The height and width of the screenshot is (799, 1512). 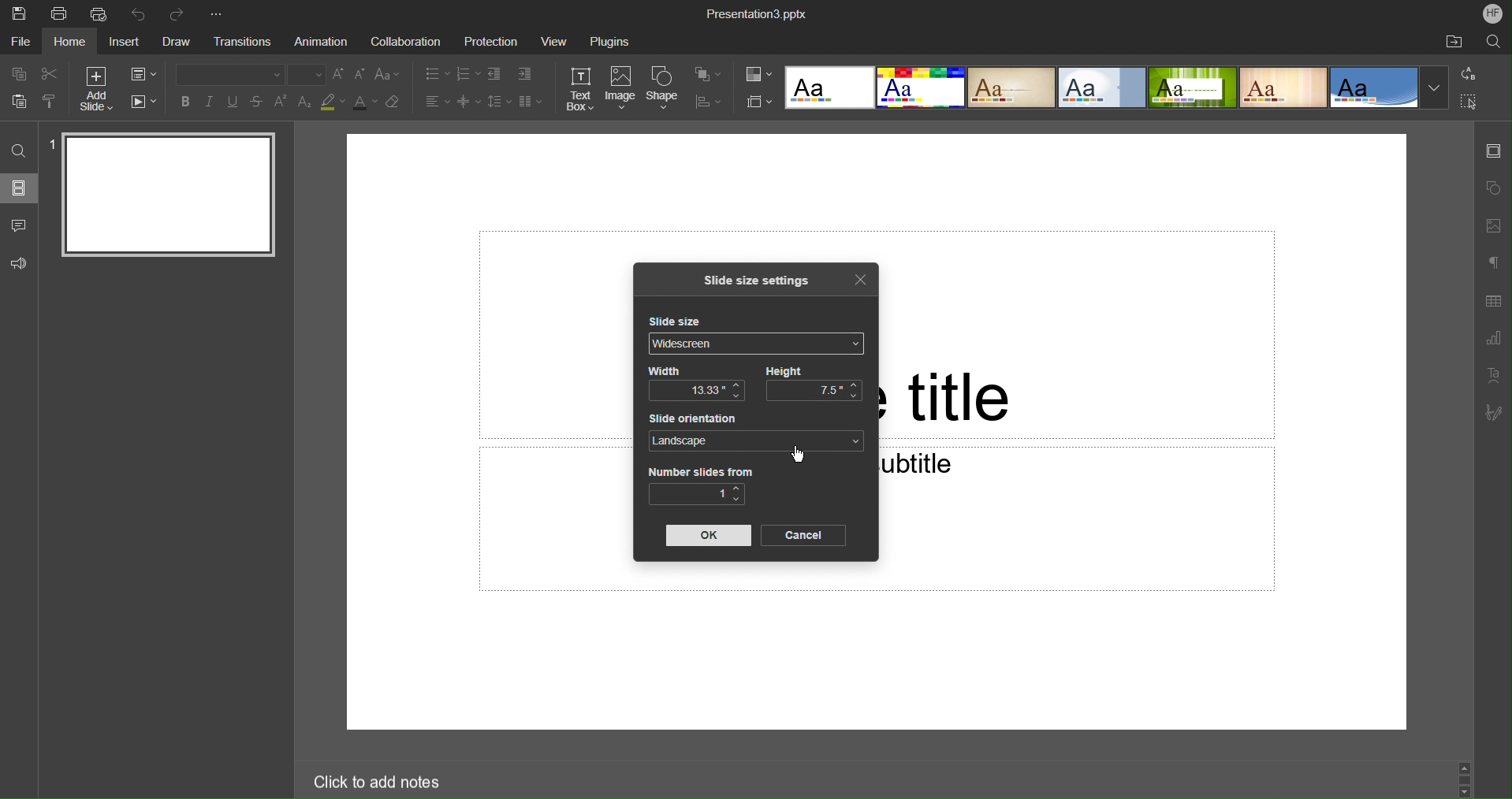 What do you see at coordinates (19, 188) in the screenshot?
I see `Slides` at bounding box center [19, 188].